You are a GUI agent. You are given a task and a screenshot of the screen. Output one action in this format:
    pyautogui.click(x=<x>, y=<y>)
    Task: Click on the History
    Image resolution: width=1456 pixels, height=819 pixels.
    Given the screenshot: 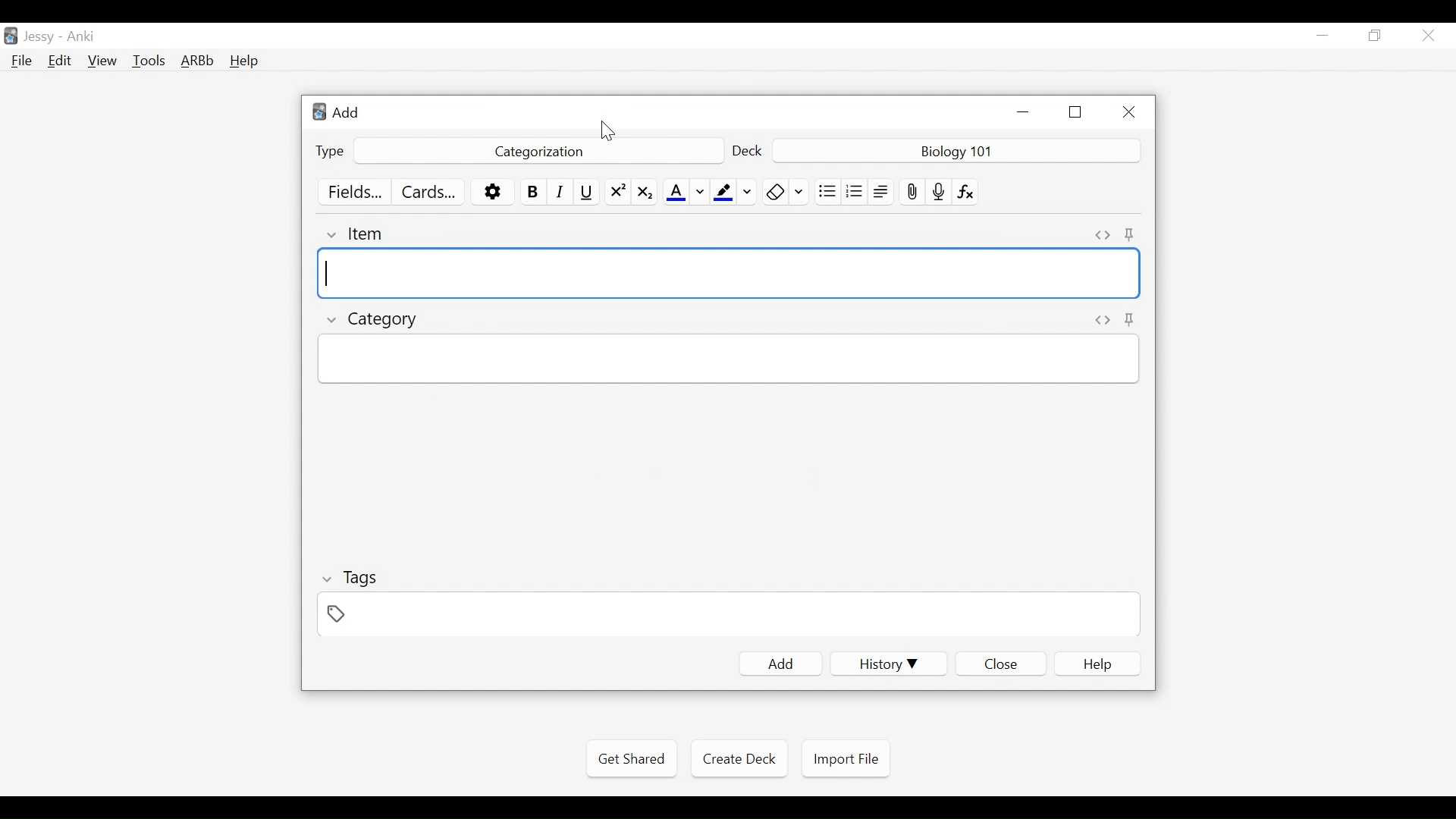 What is the action you would take?
    pyautogui.click(x=888, y=664)
    